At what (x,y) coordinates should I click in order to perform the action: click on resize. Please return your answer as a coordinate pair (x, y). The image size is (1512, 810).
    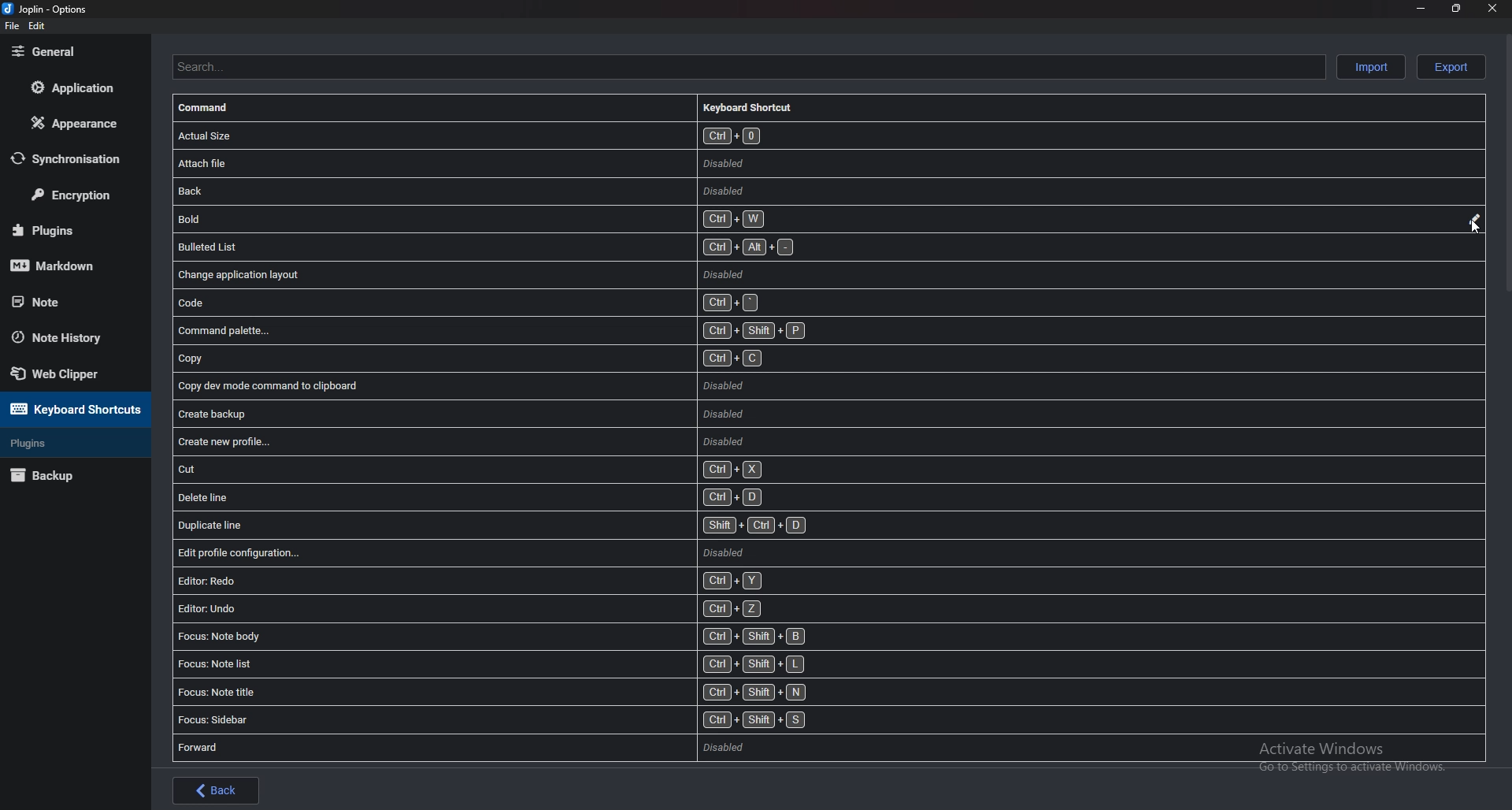
    Looking at the image, I should click on (1457, 9).